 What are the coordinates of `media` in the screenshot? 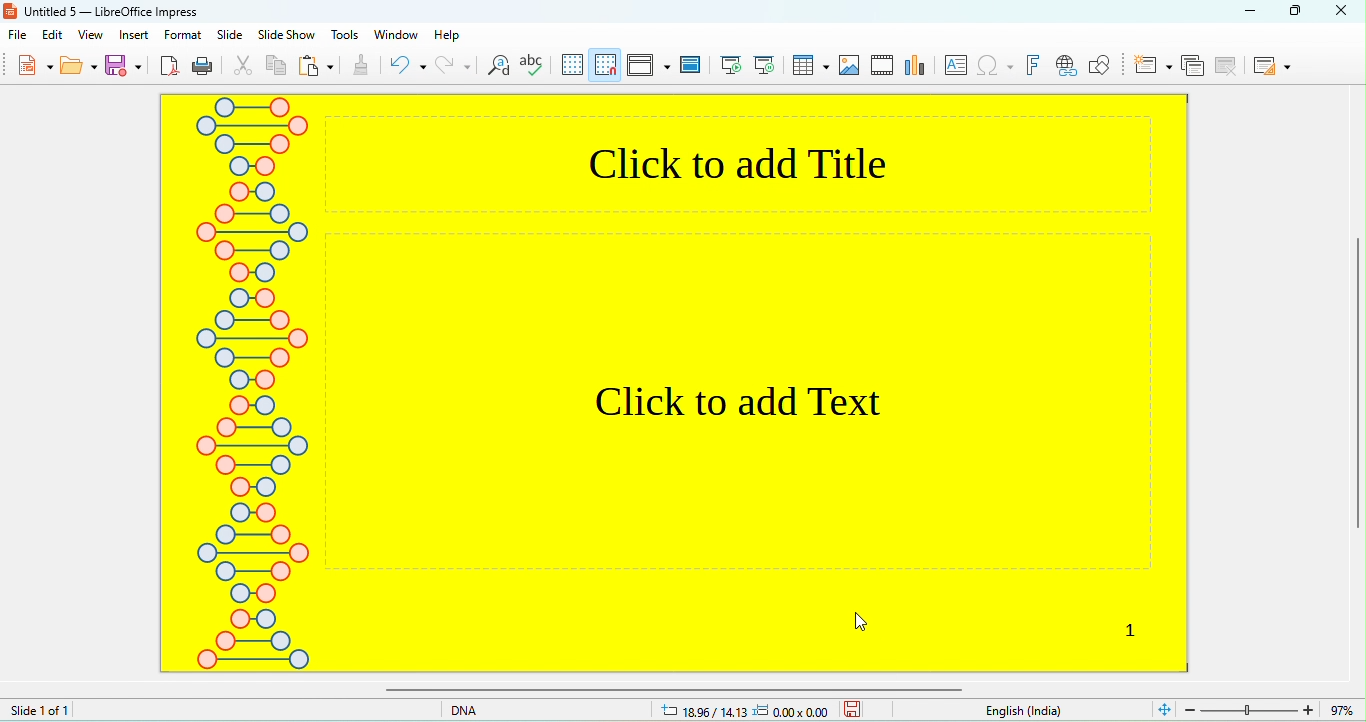 It's located at (883, 63).